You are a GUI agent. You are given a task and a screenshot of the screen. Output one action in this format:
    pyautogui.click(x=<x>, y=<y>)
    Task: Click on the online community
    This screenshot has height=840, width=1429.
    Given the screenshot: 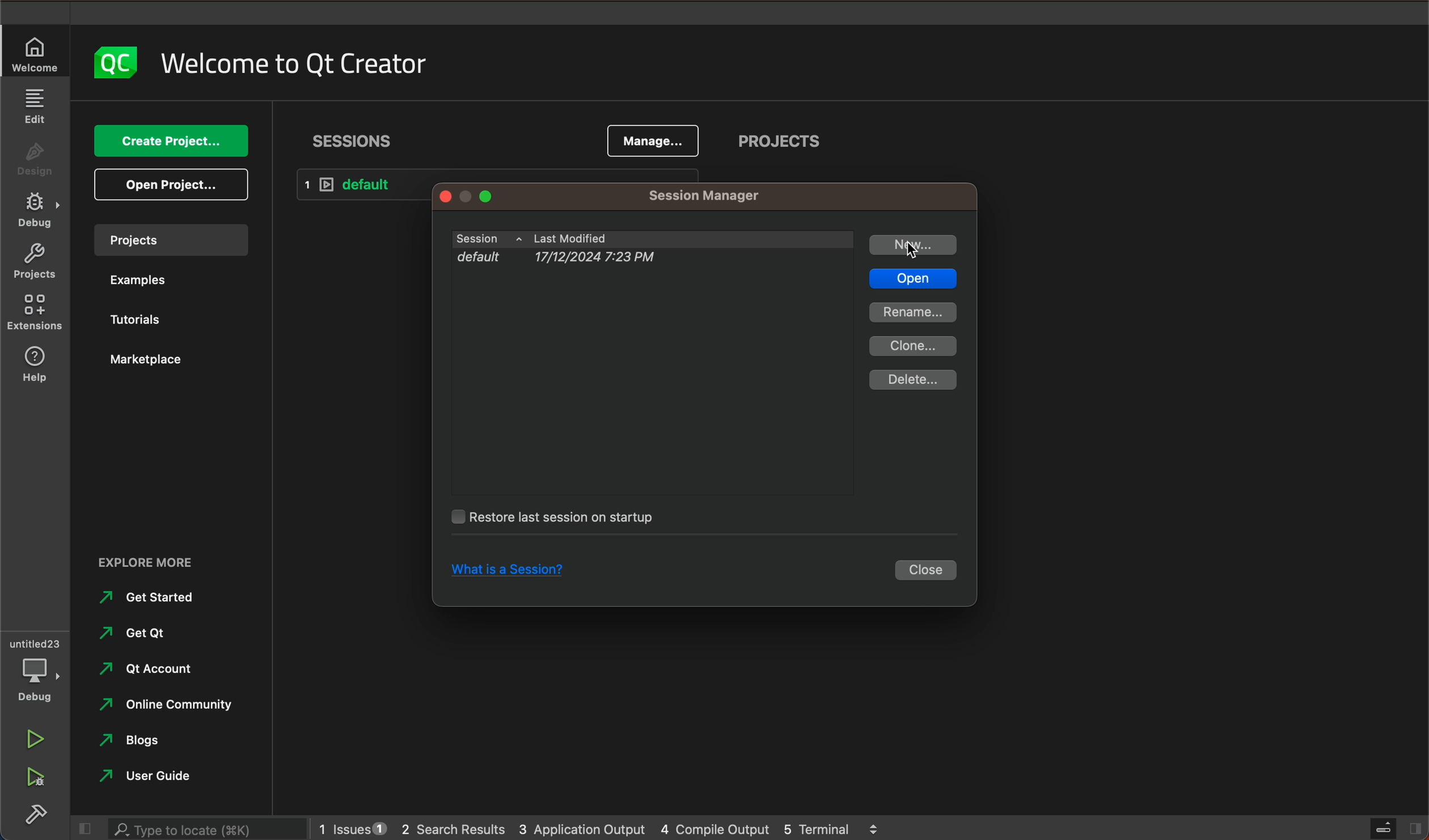 What is the action you would take?
    pyautogui.click(x=160, y=705)
    